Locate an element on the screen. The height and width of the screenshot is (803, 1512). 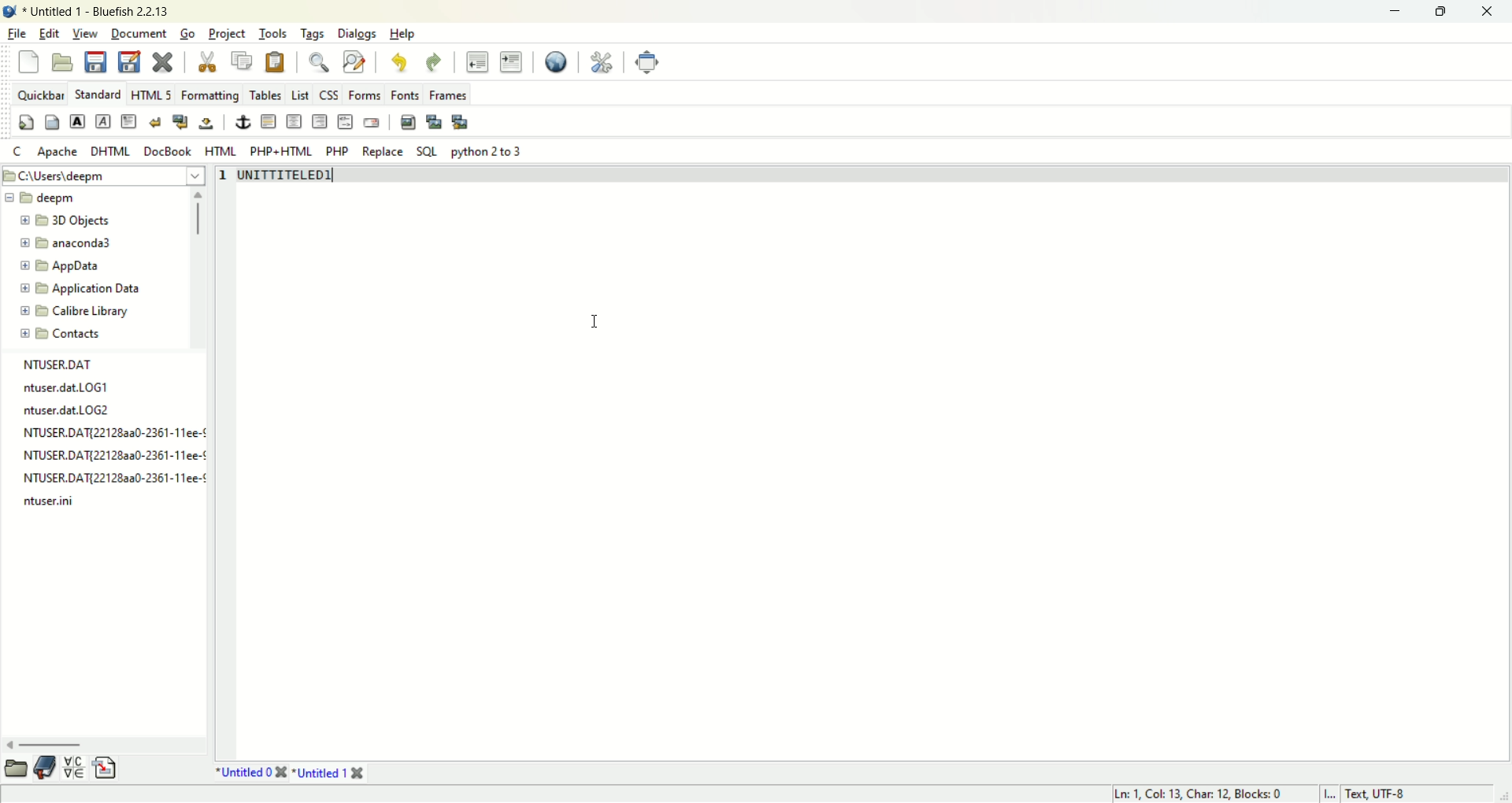
go is located at coordinates (187, 34).